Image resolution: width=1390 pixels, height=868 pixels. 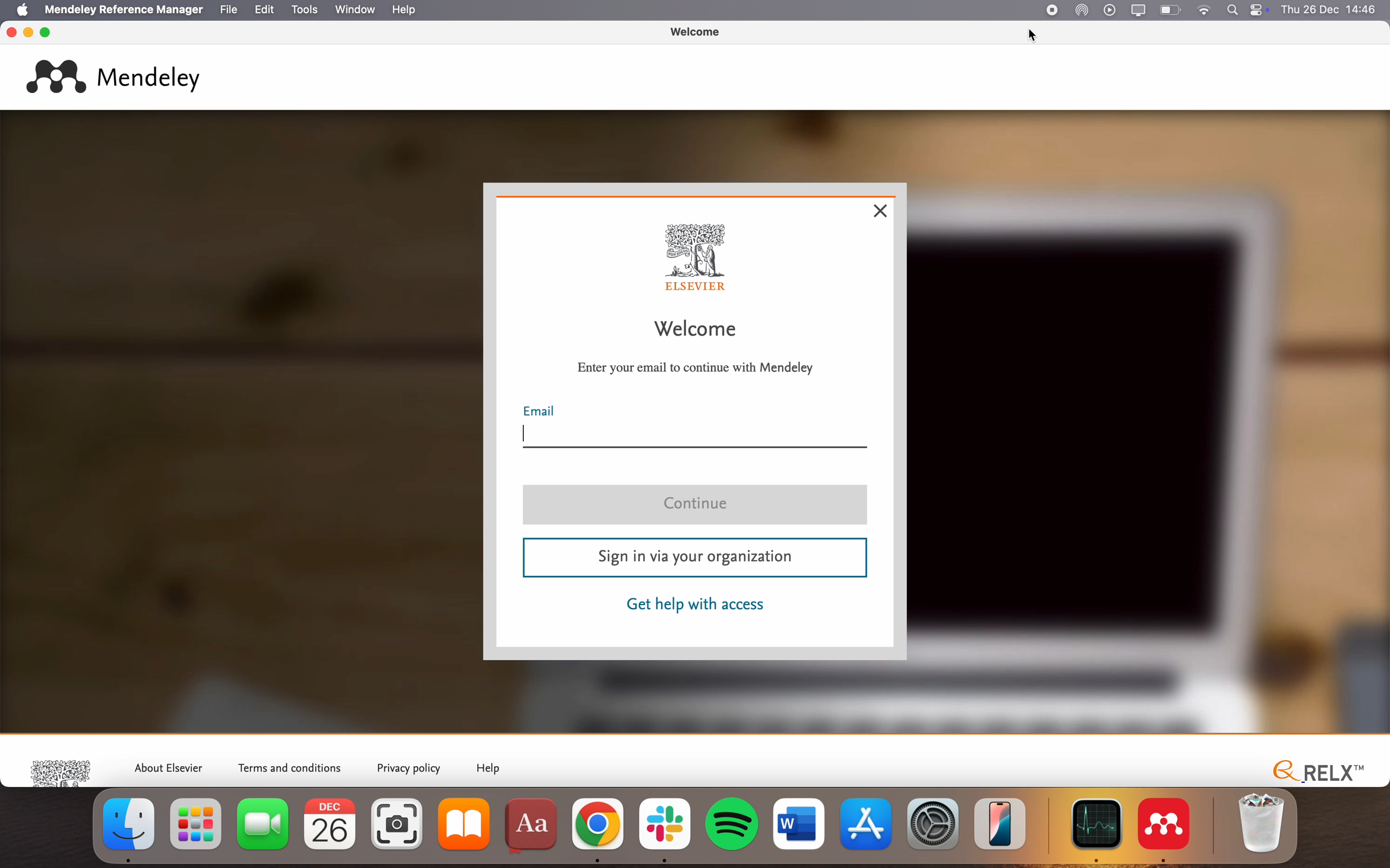 I want to click on window, so click(x=354, y=9).